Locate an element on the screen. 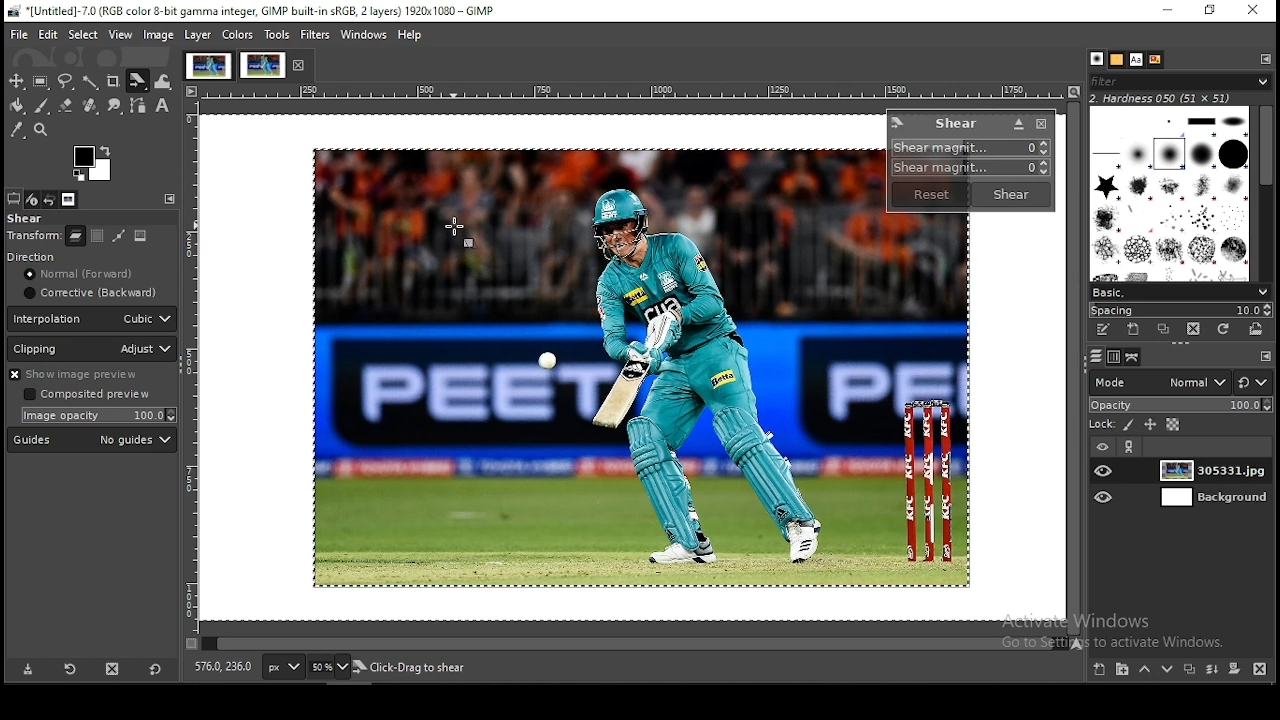 This screenshot has width=1280, height=720. filter is located at coordinates (1181, 81).